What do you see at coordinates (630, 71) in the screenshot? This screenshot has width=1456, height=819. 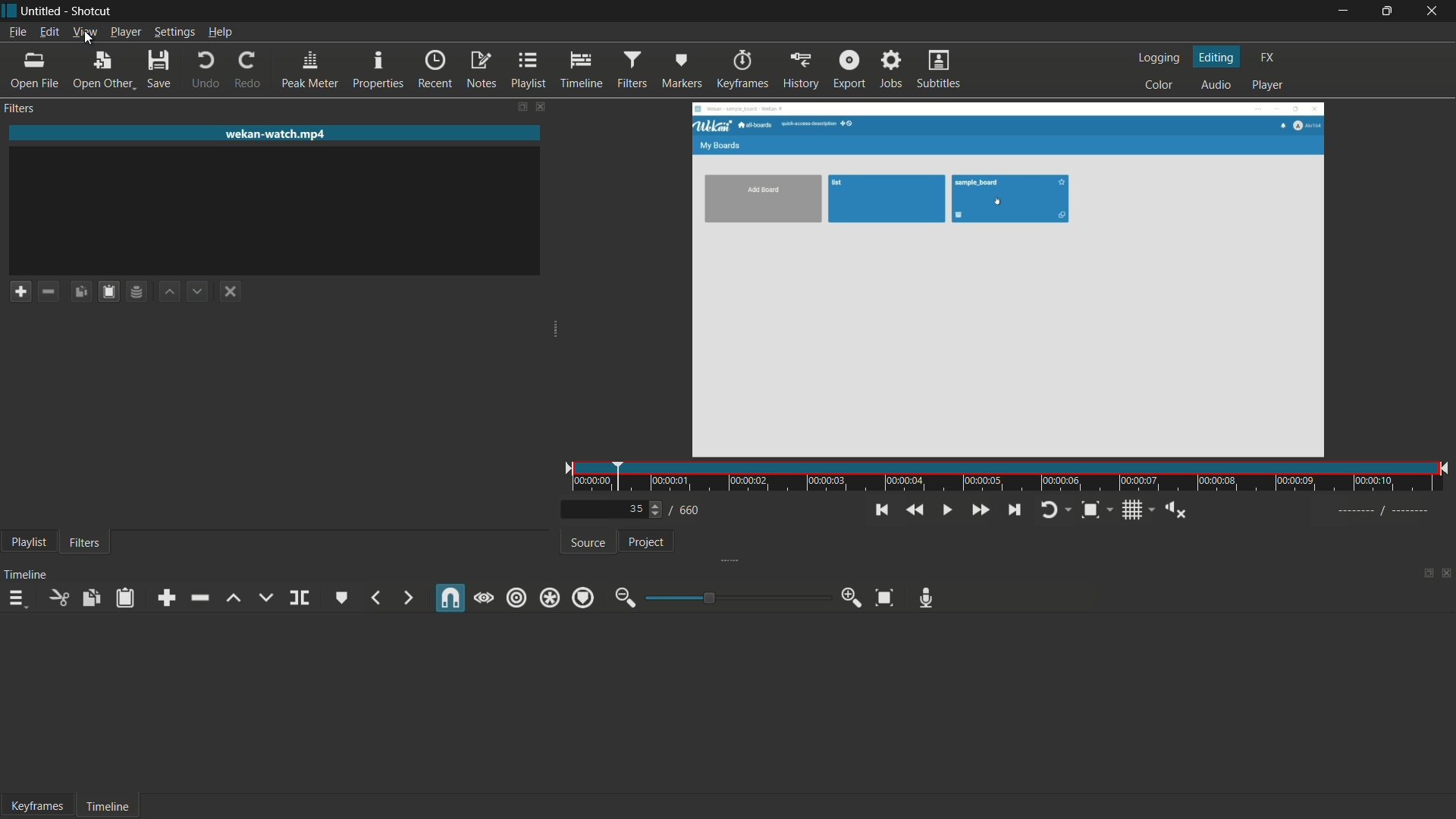 I see `filters` at bounding box center [630, 71].